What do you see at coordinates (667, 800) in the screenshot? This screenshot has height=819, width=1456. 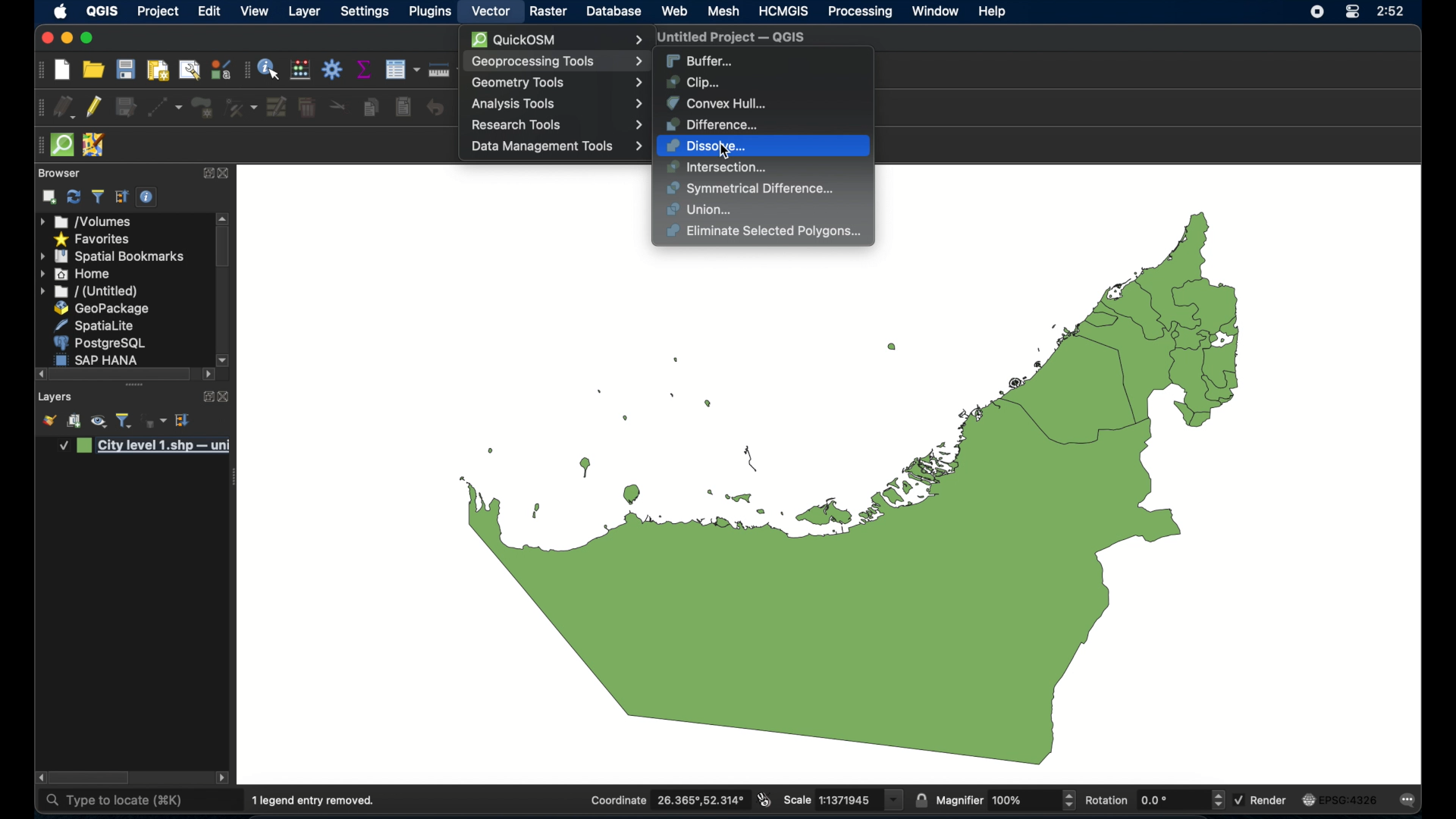 I see `coordinate` at bounding box center [667, 800].